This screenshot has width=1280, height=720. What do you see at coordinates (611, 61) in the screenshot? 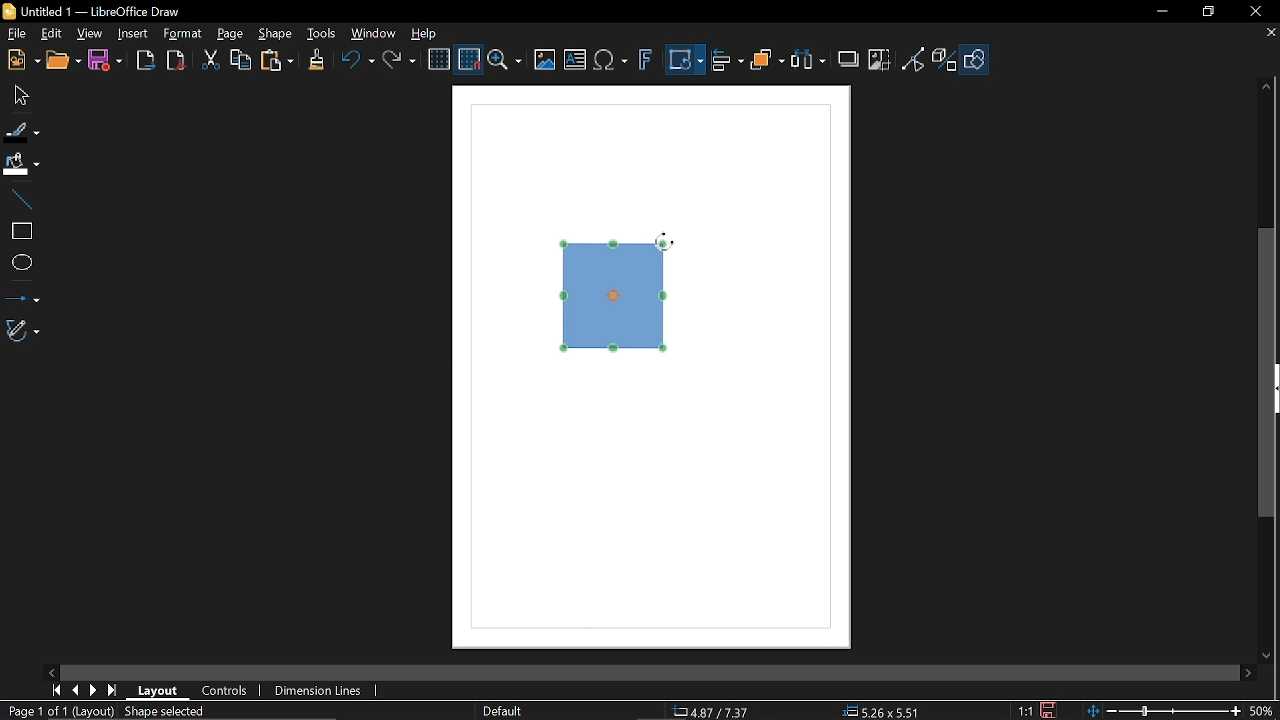
I see `Insert equation` at bounding box center [611, 61].